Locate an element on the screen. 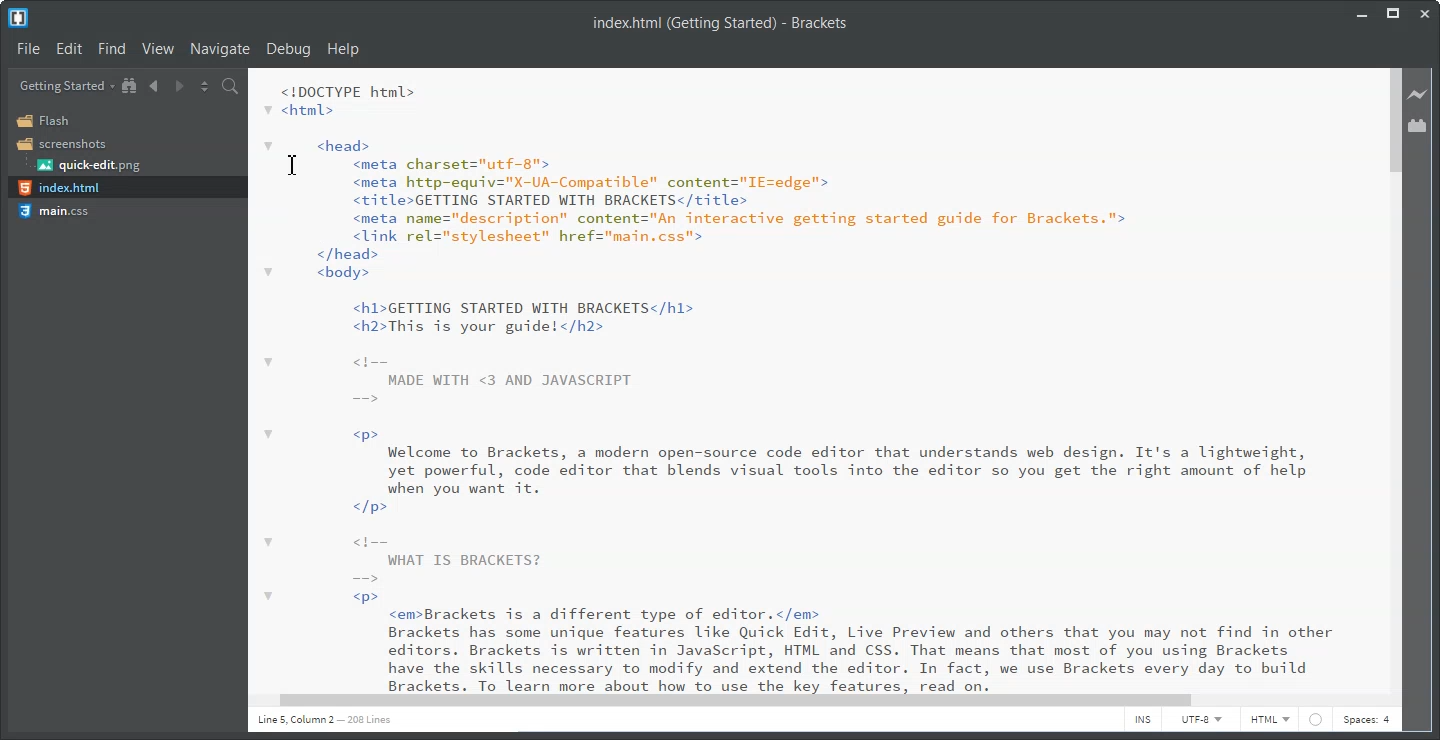 The height and width of the screenshot is (740, 1440). main.css is located at coordinates (61, 211).